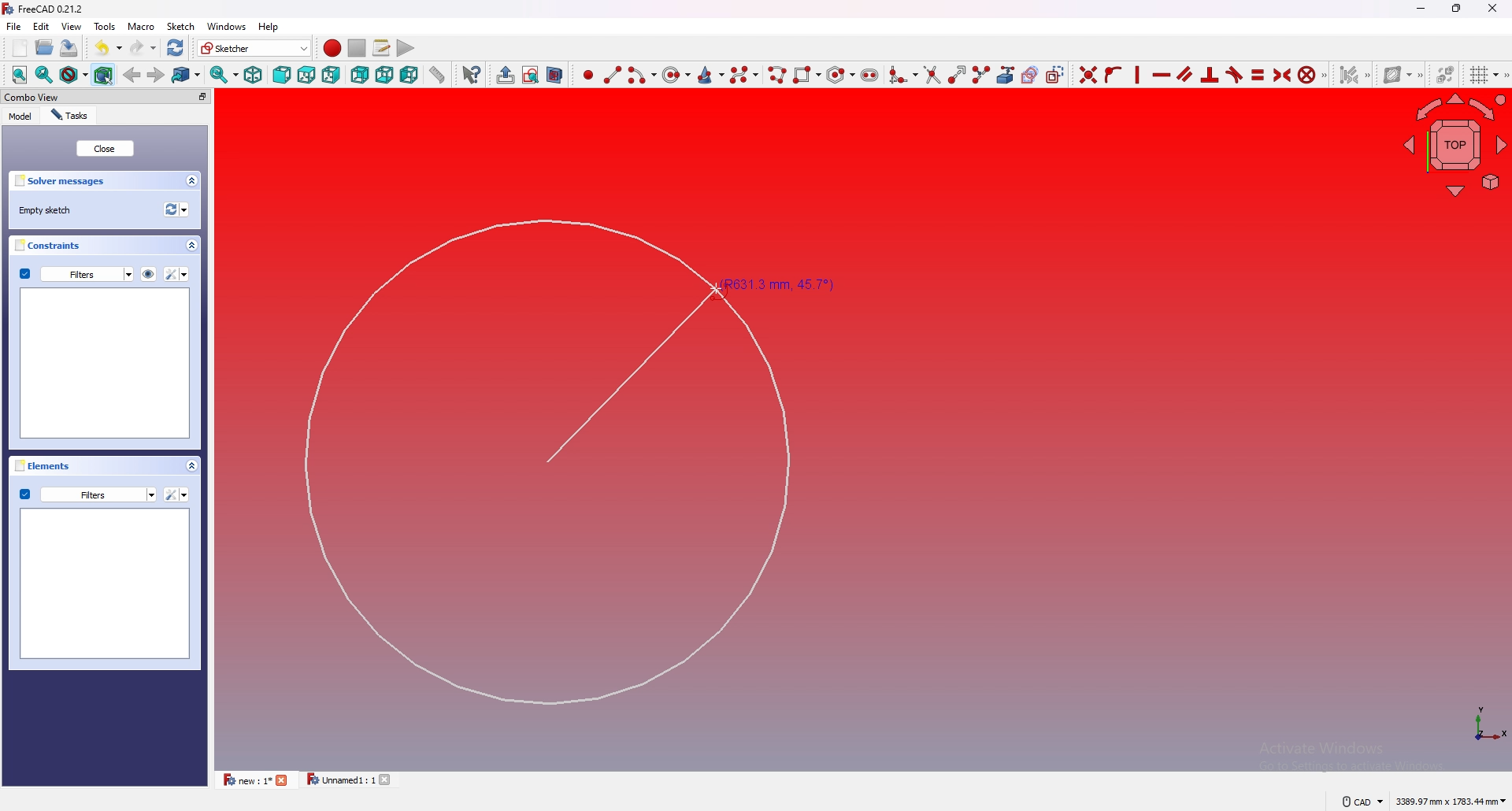  Describe the element at coordinates (587, 75) in the screenshot. I see `create point` at that location.